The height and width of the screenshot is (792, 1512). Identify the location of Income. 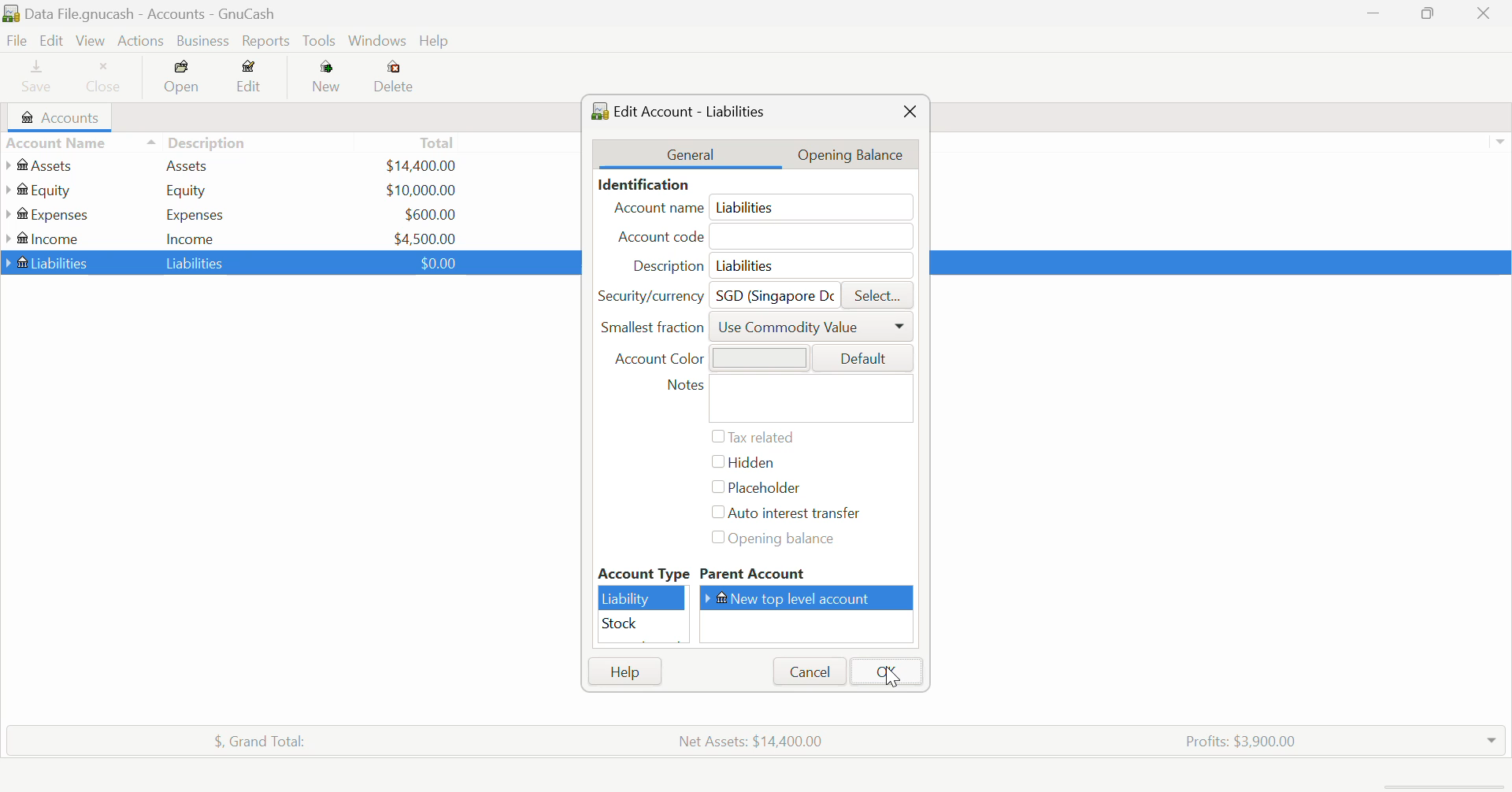
(191, 238).